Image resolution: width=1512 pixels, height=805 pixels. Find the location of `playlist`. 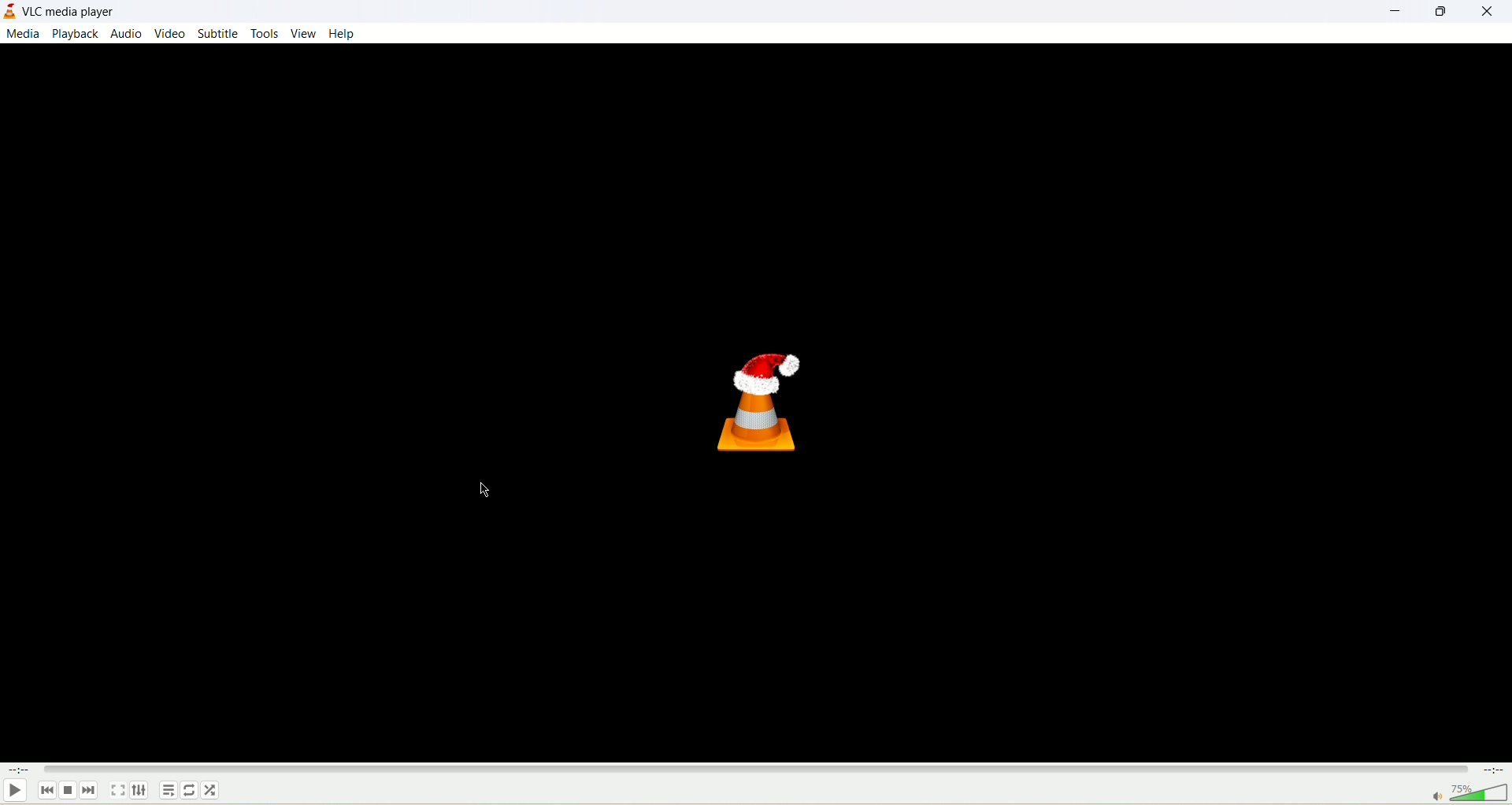

playlist is located at coordinates (169, 791).